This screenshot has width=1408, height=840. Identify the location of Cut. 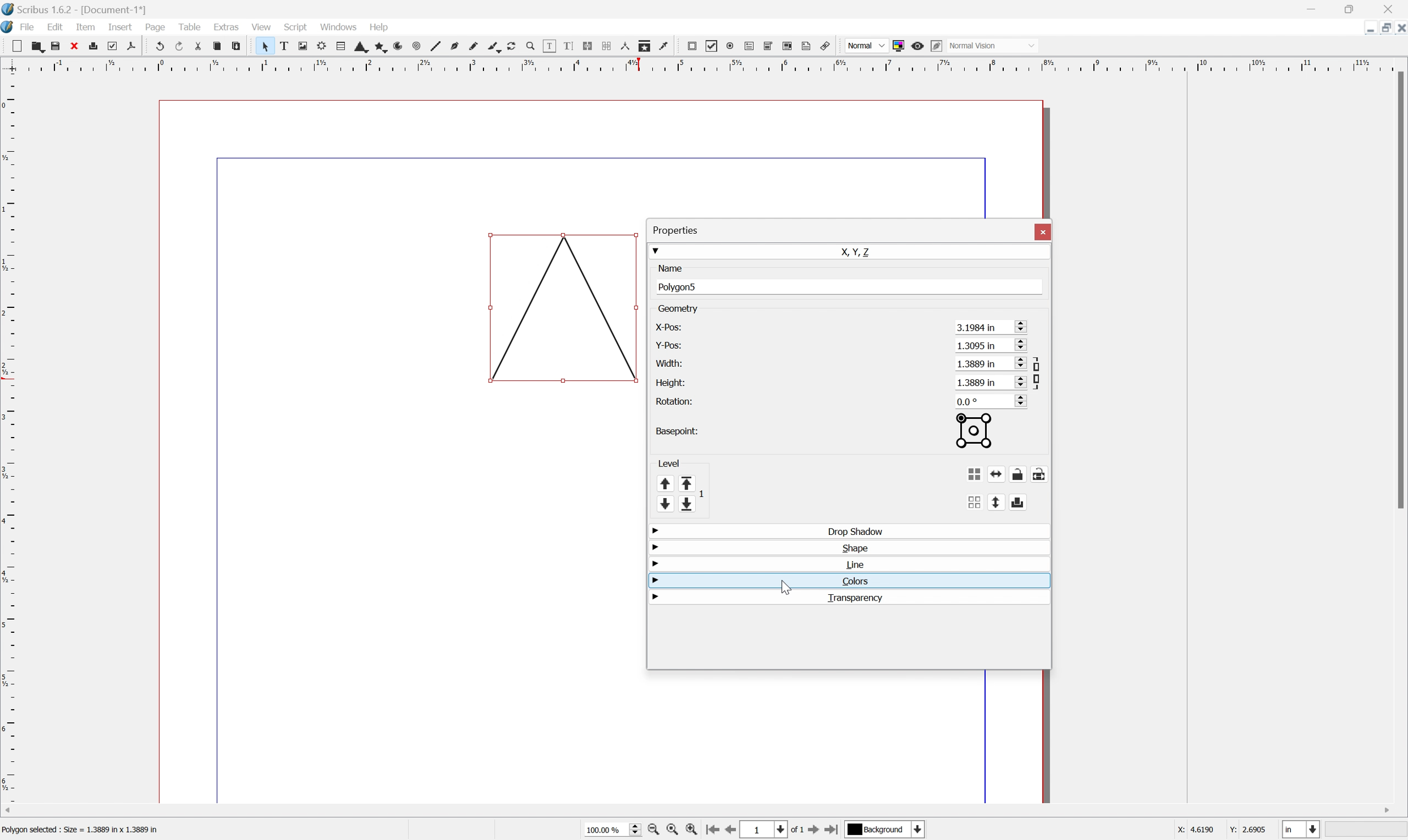
(196, 46).